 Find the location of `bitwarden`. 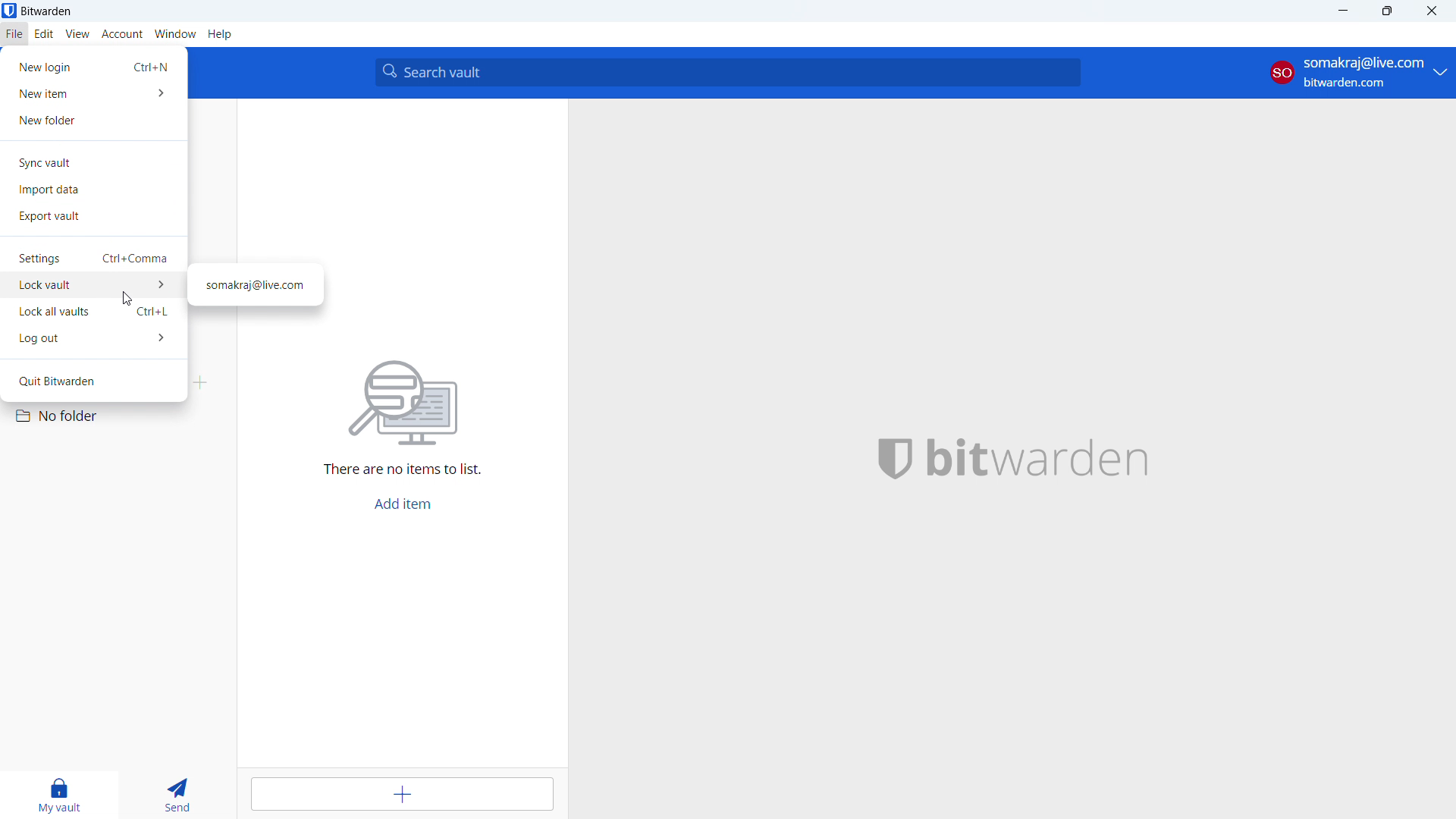

bitwarden is located at coordinates (1049, 455).